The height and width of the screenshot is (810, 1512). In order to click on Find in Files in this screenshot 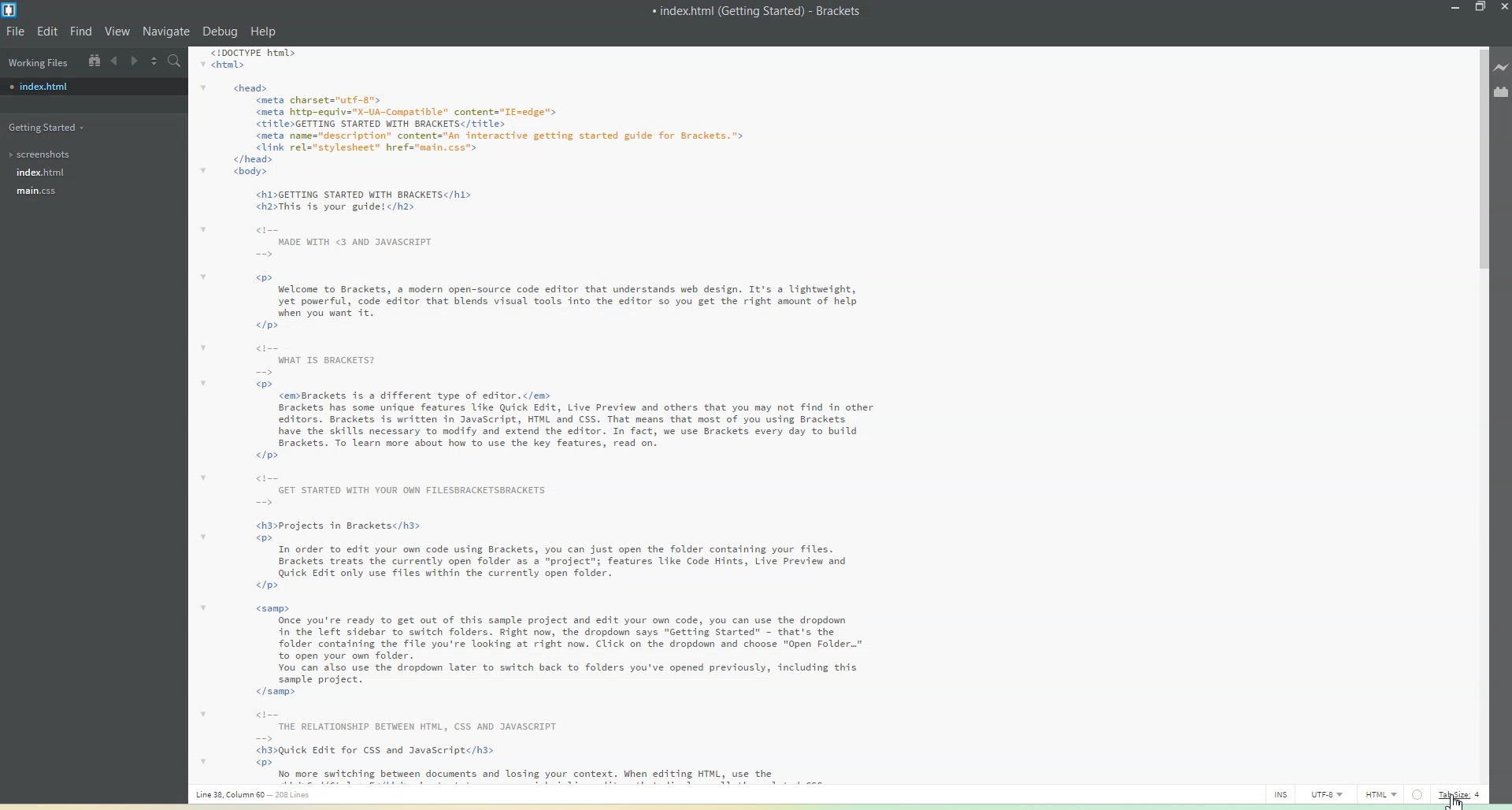, I will do `click(175, 61)`.